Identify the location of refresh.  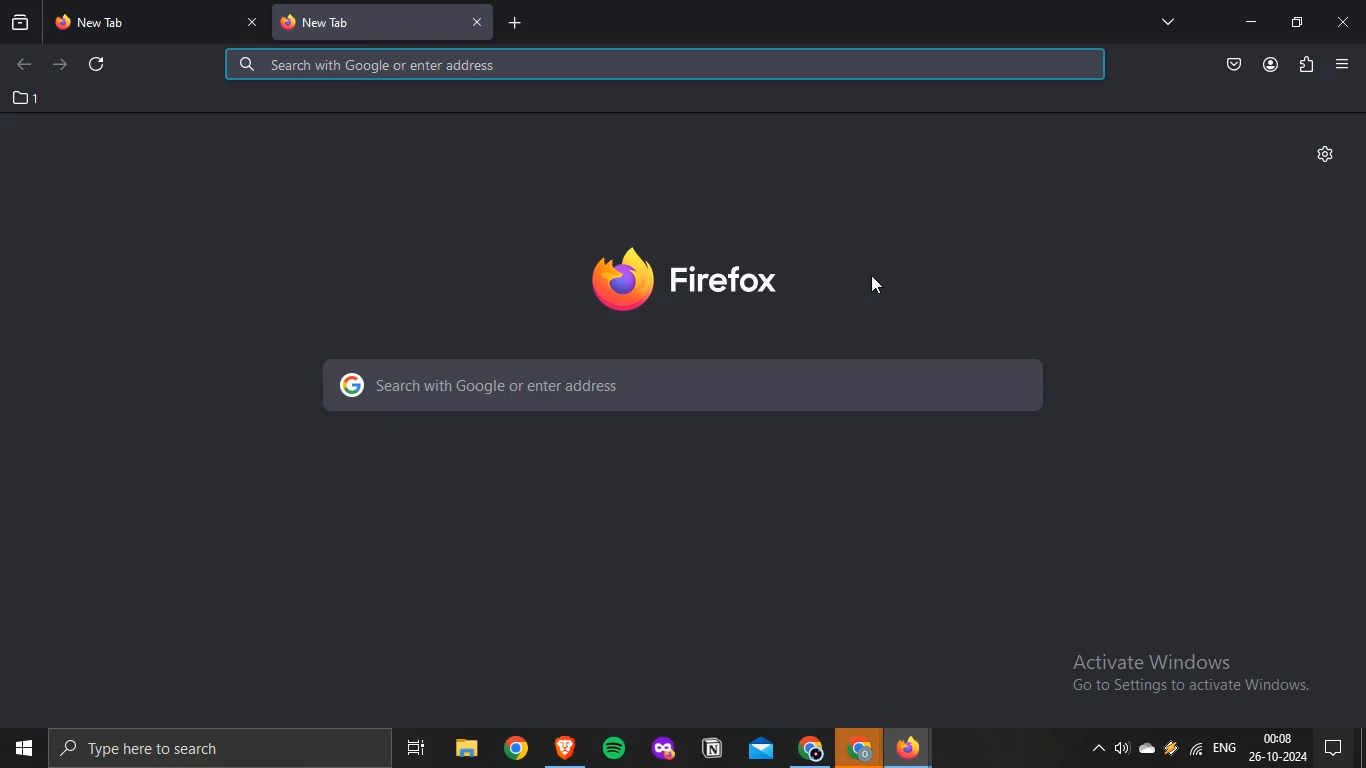
(98, 63).